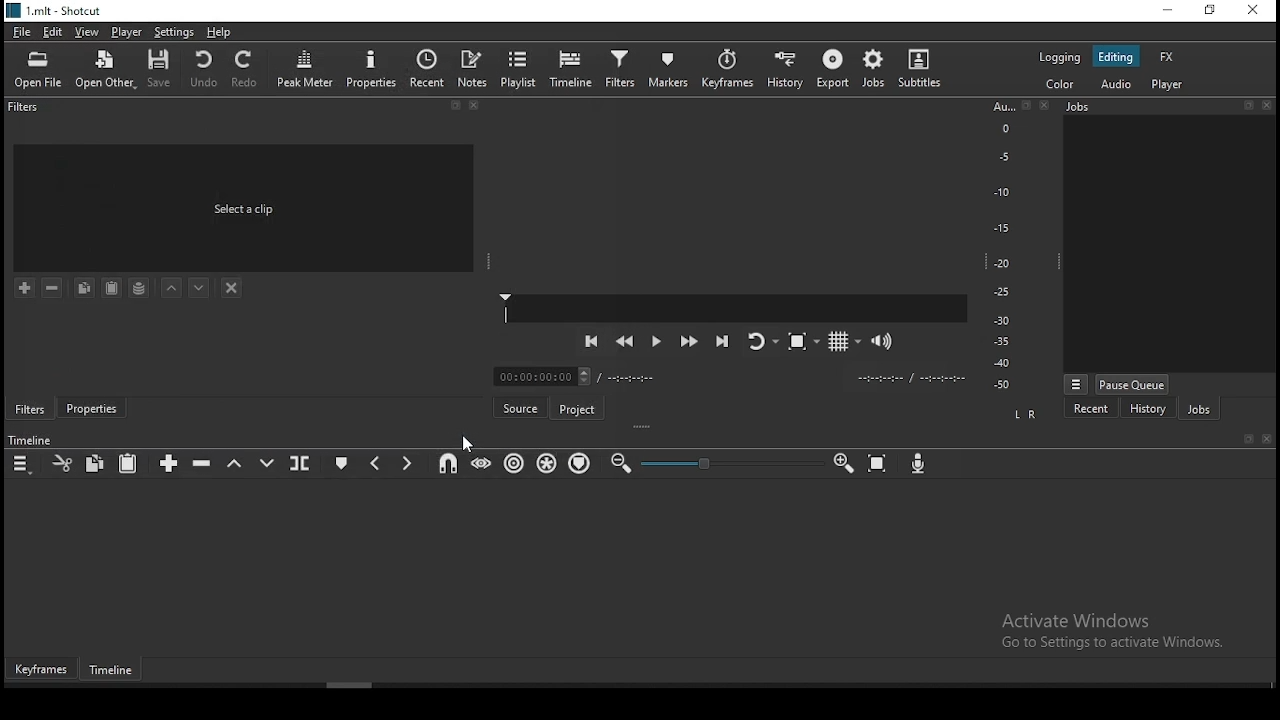  Describe the element at coordinates (343, 460) in the screenshot. I see `create/edit marker` at that location.